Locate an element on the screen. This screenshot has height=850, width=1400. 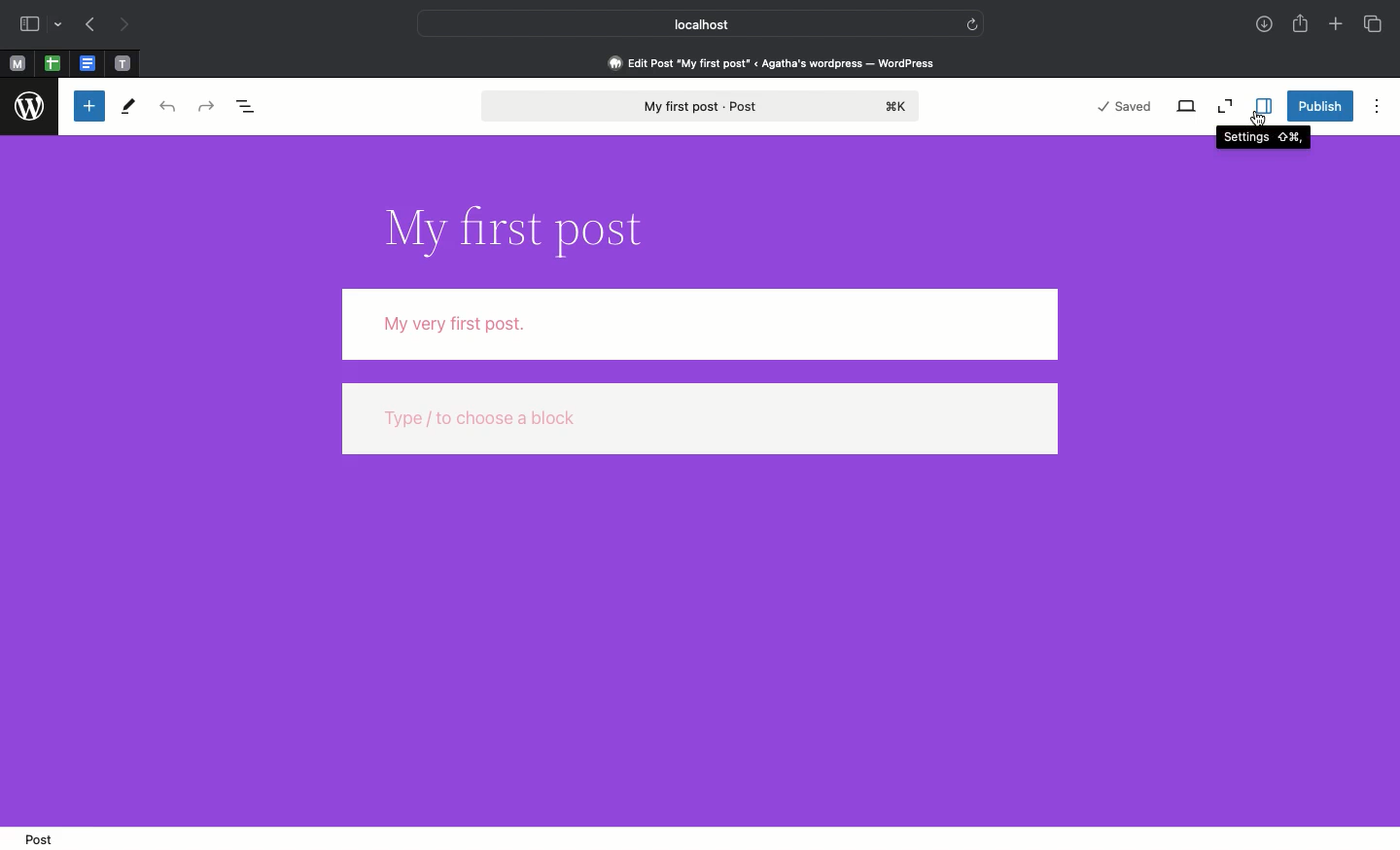
Post is located at coordinates (46, 838).